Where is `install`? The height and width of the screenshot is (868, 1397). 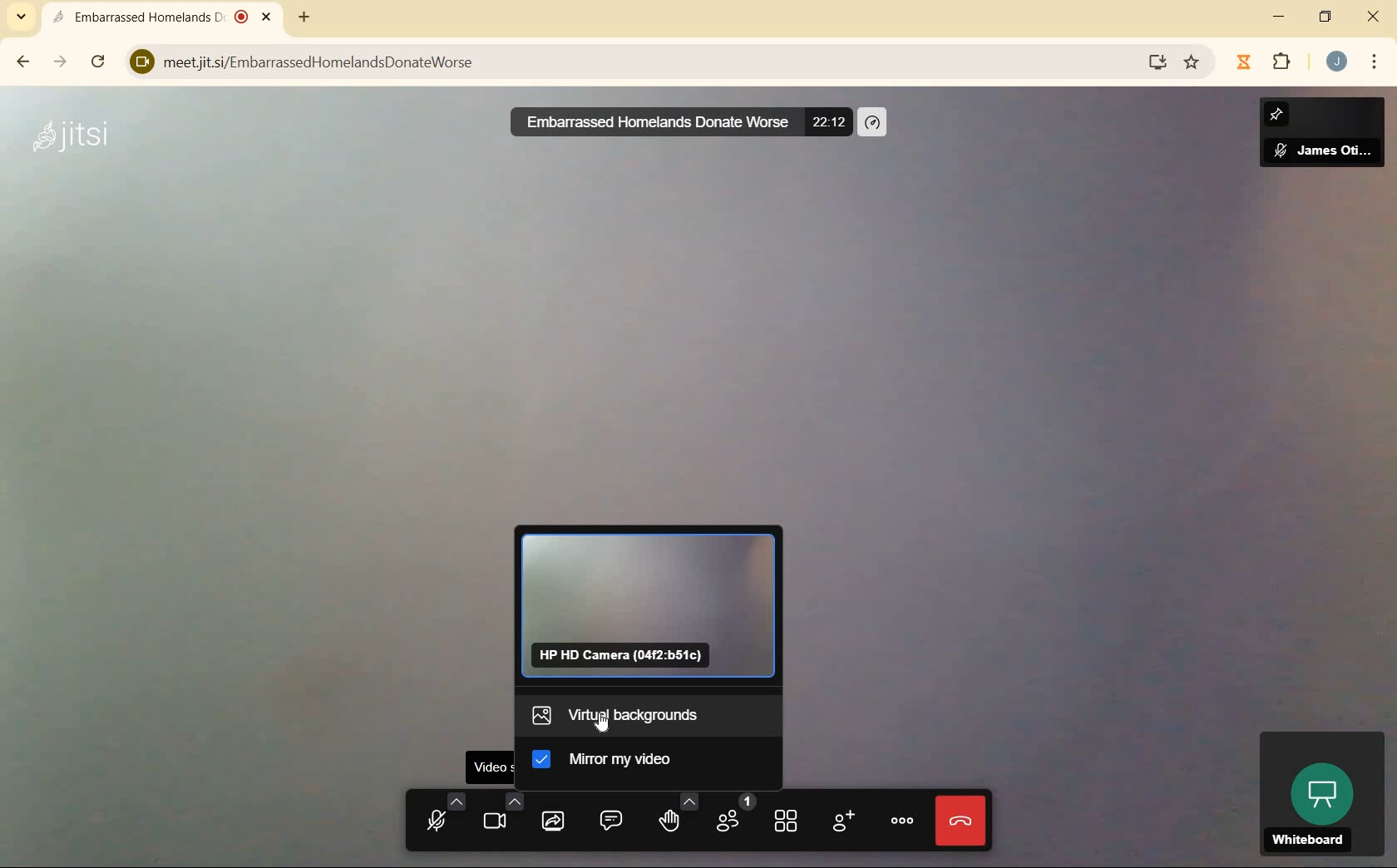 install is located at coordinates (1153, 64).